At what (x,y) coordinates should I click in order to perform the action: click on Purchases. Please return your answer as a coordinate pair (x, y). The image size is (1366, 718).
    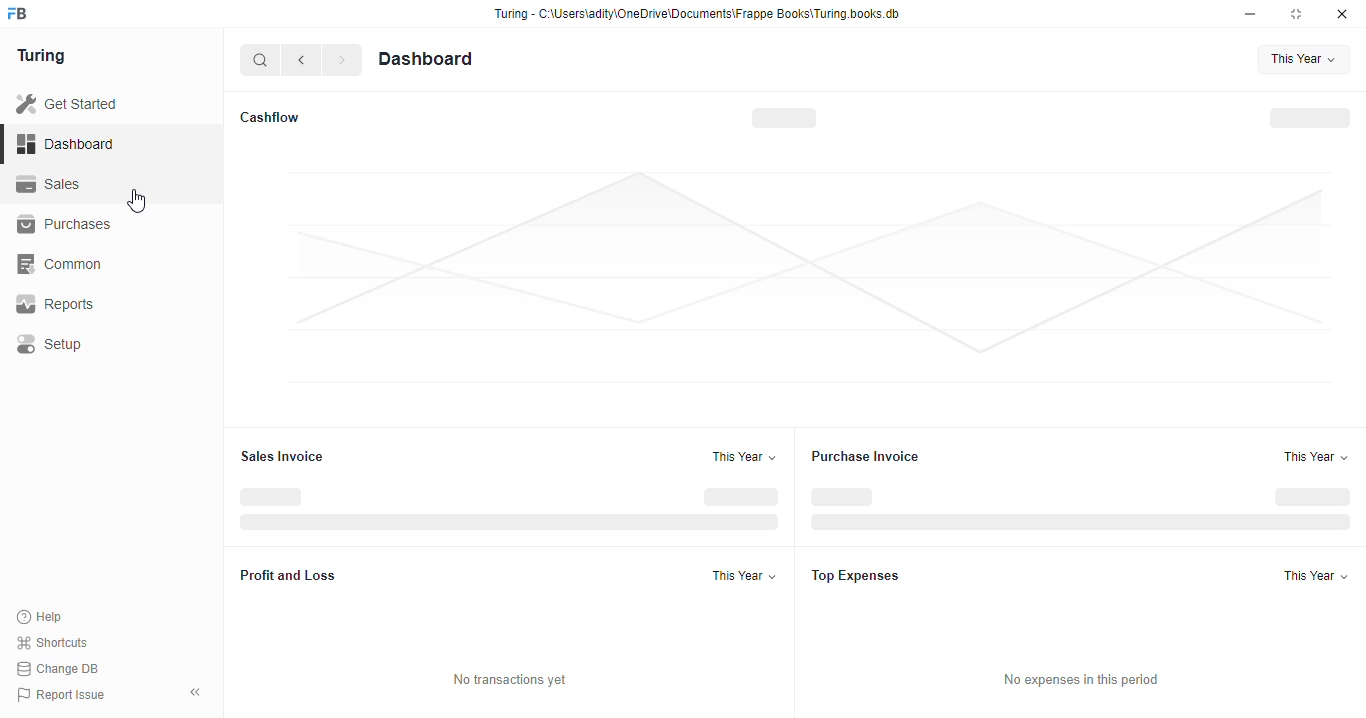
    Looking at the image, I should click on (104, 226).